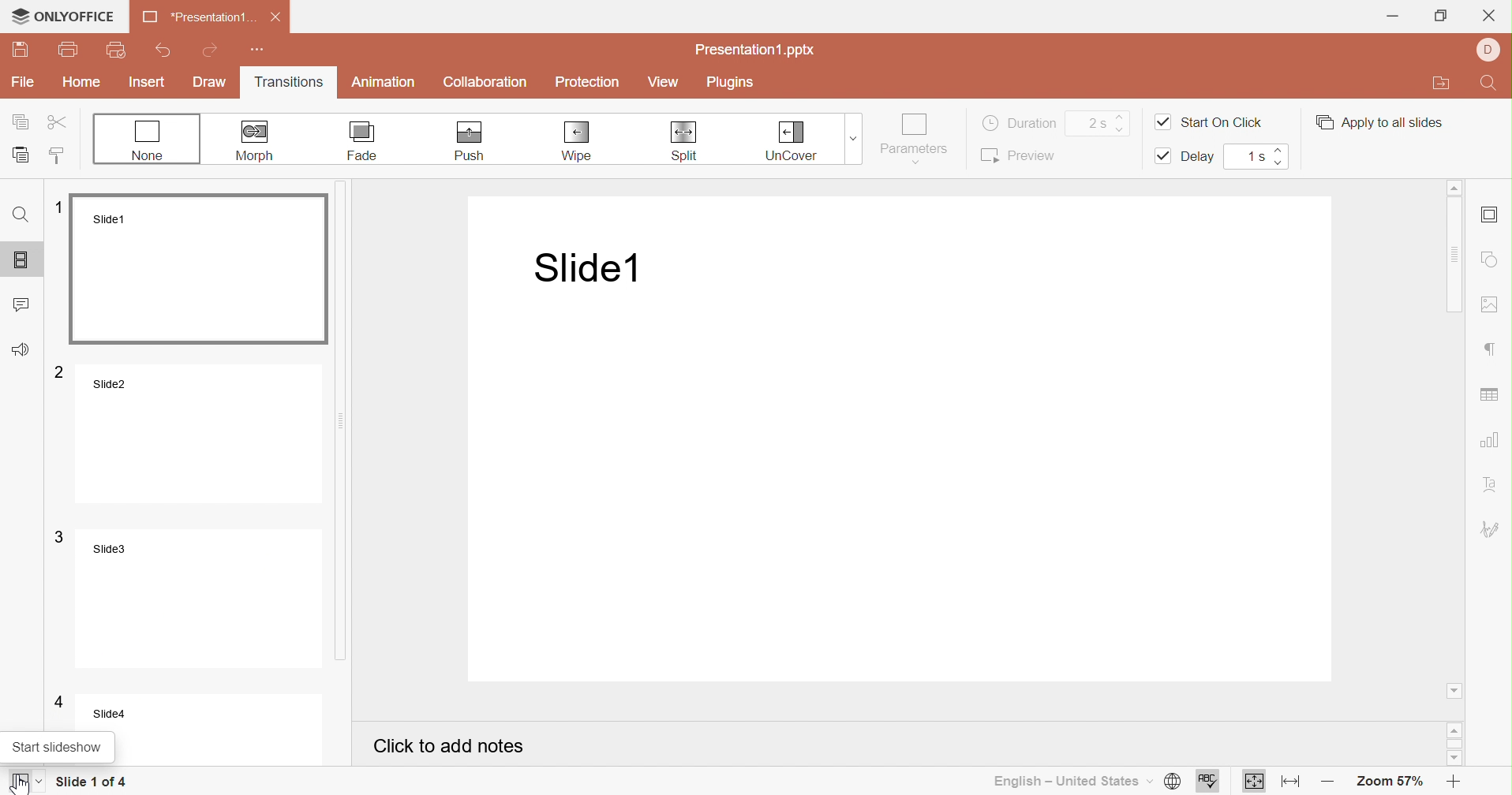 This screenshot has height=795, width=1512. Describe the element at coordinates (24, 256) in the screenshot. I see `Slides` at that location.